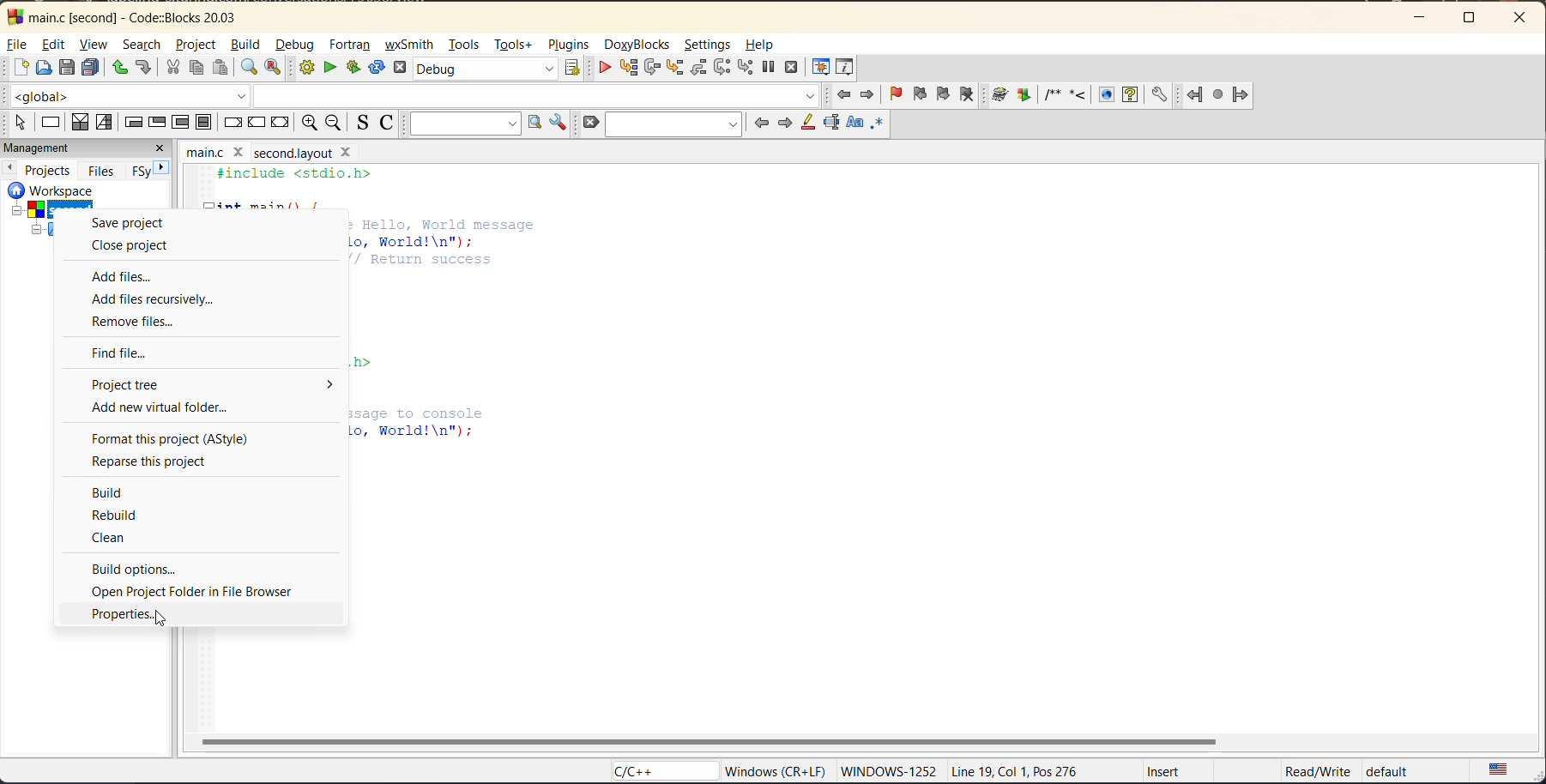 The height and width of the screenshot is (784, 1546). Describe the element at coordinates (17, 45) in the screenshot. I see `file` at that location.